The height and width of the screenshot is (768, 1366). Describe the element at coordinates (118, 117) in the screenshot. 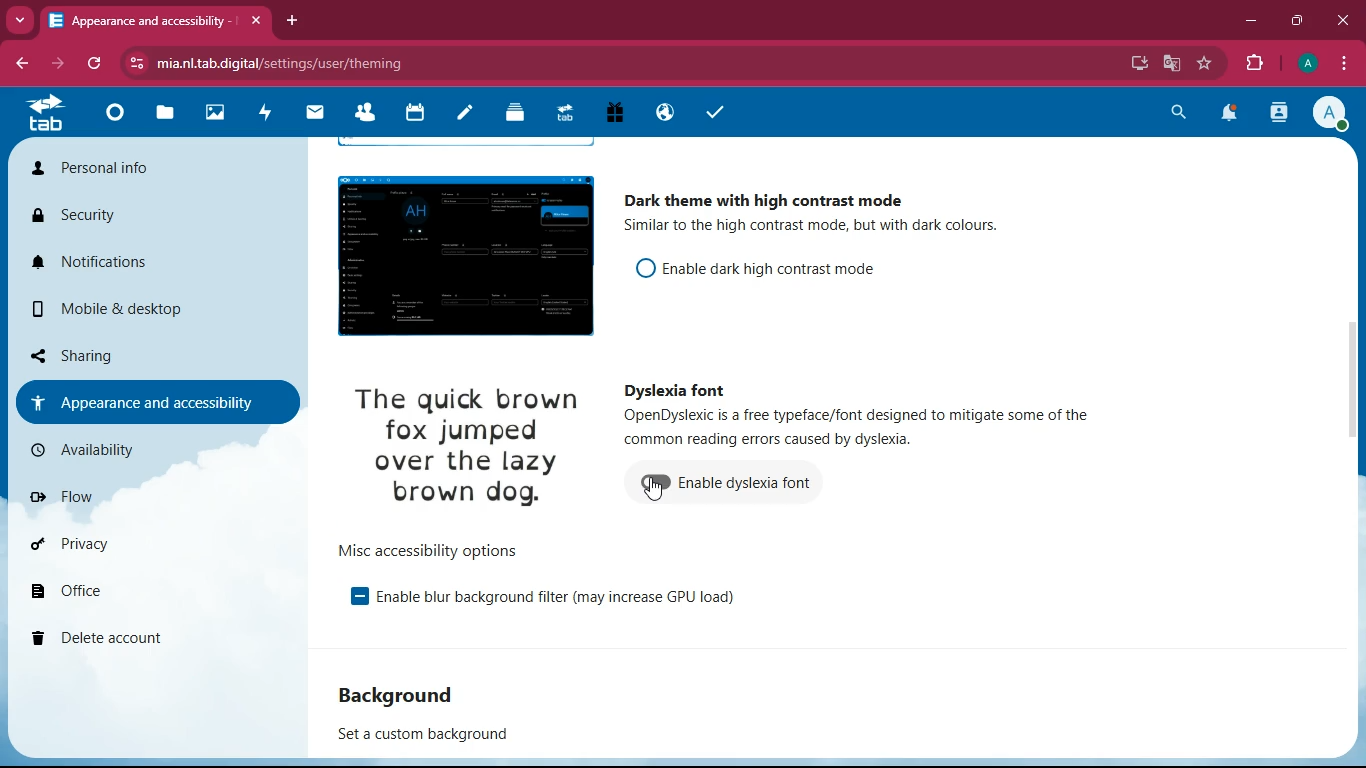

I see `home` at that location.